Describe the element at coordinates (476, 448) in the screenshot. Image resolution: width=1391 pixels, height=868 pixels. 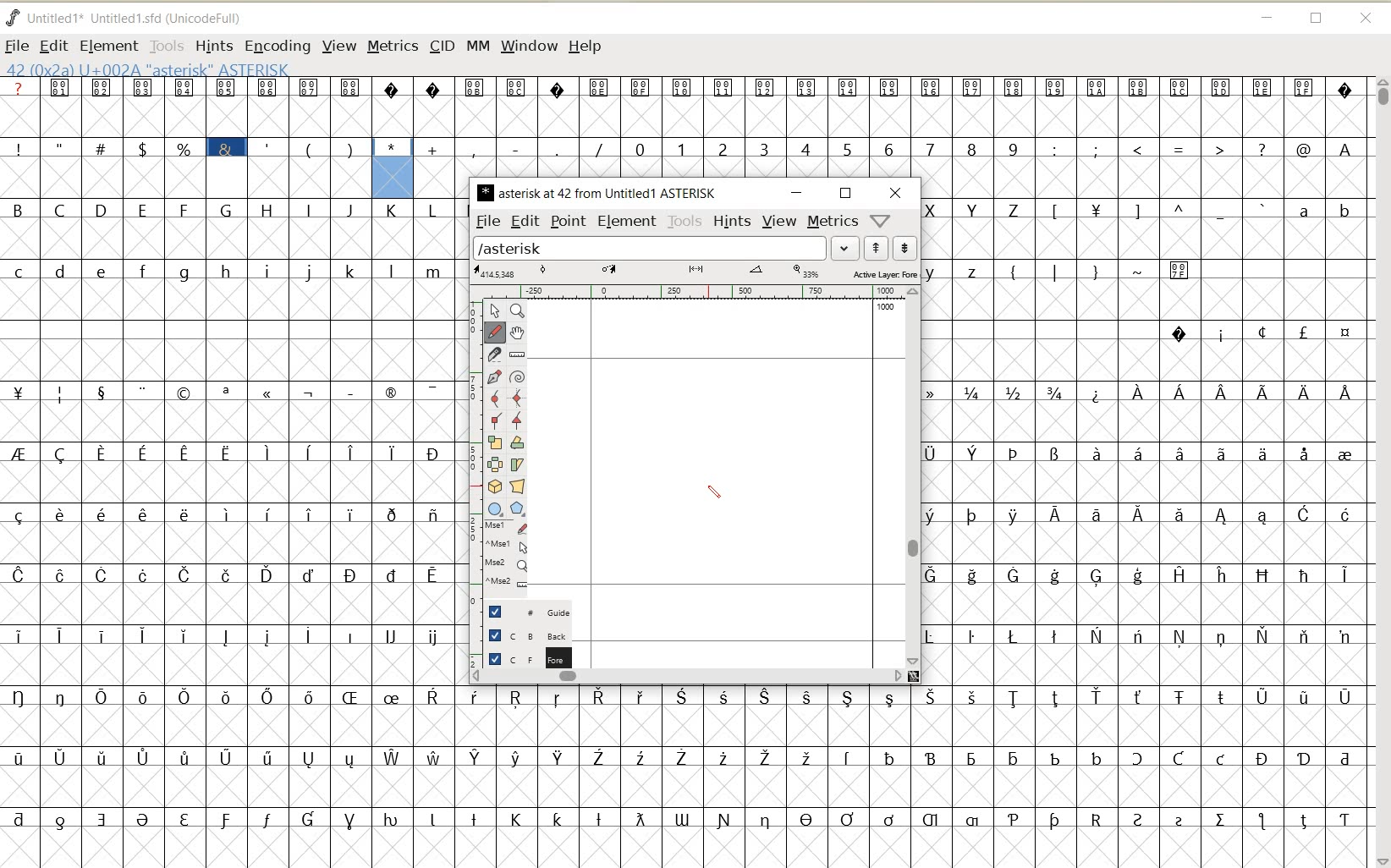
I see `SCALE` at that location.